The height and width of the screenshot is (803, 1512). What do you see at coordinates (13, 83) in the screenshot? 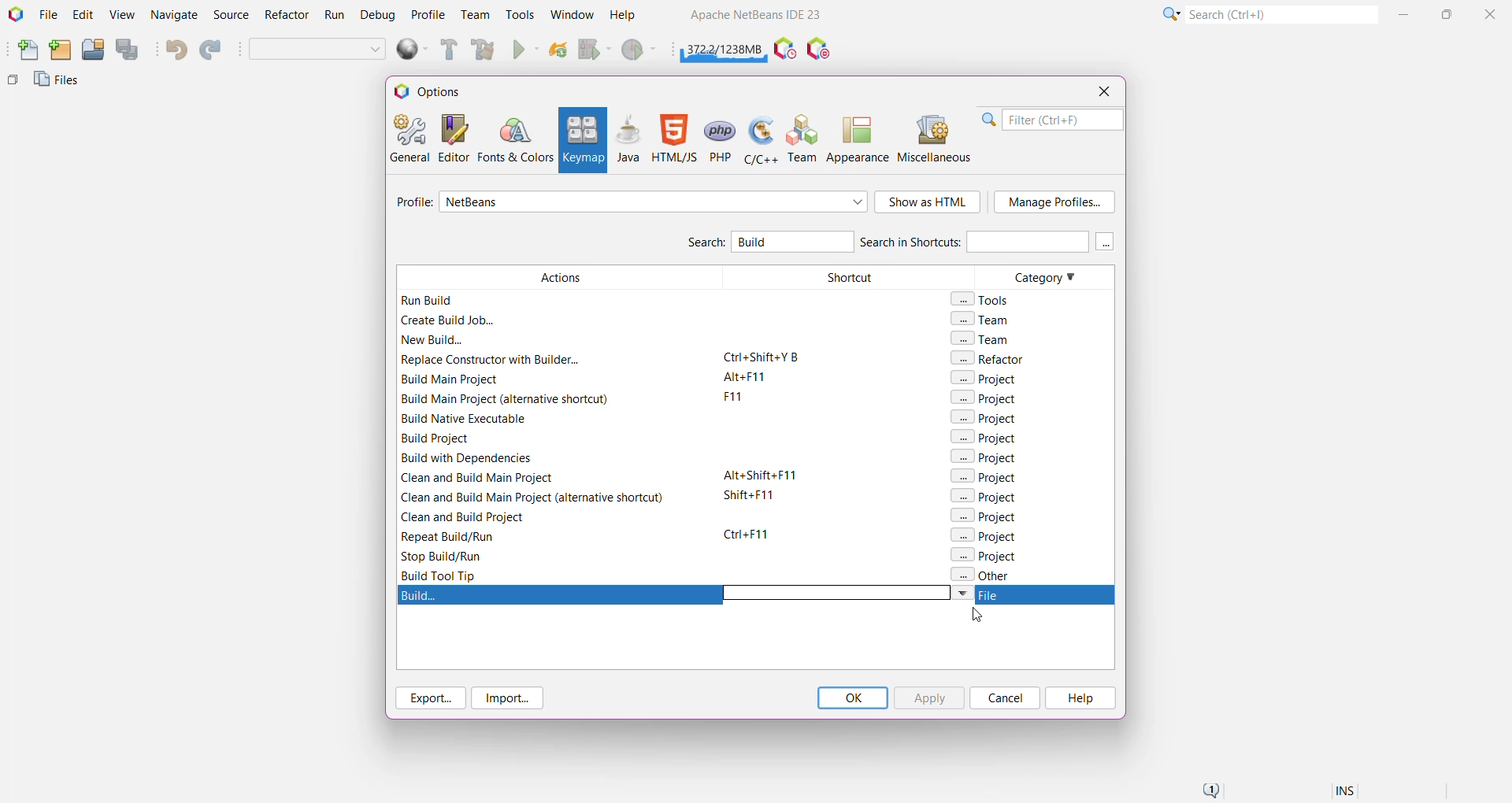
I see `` at bounding box center [13, 83].